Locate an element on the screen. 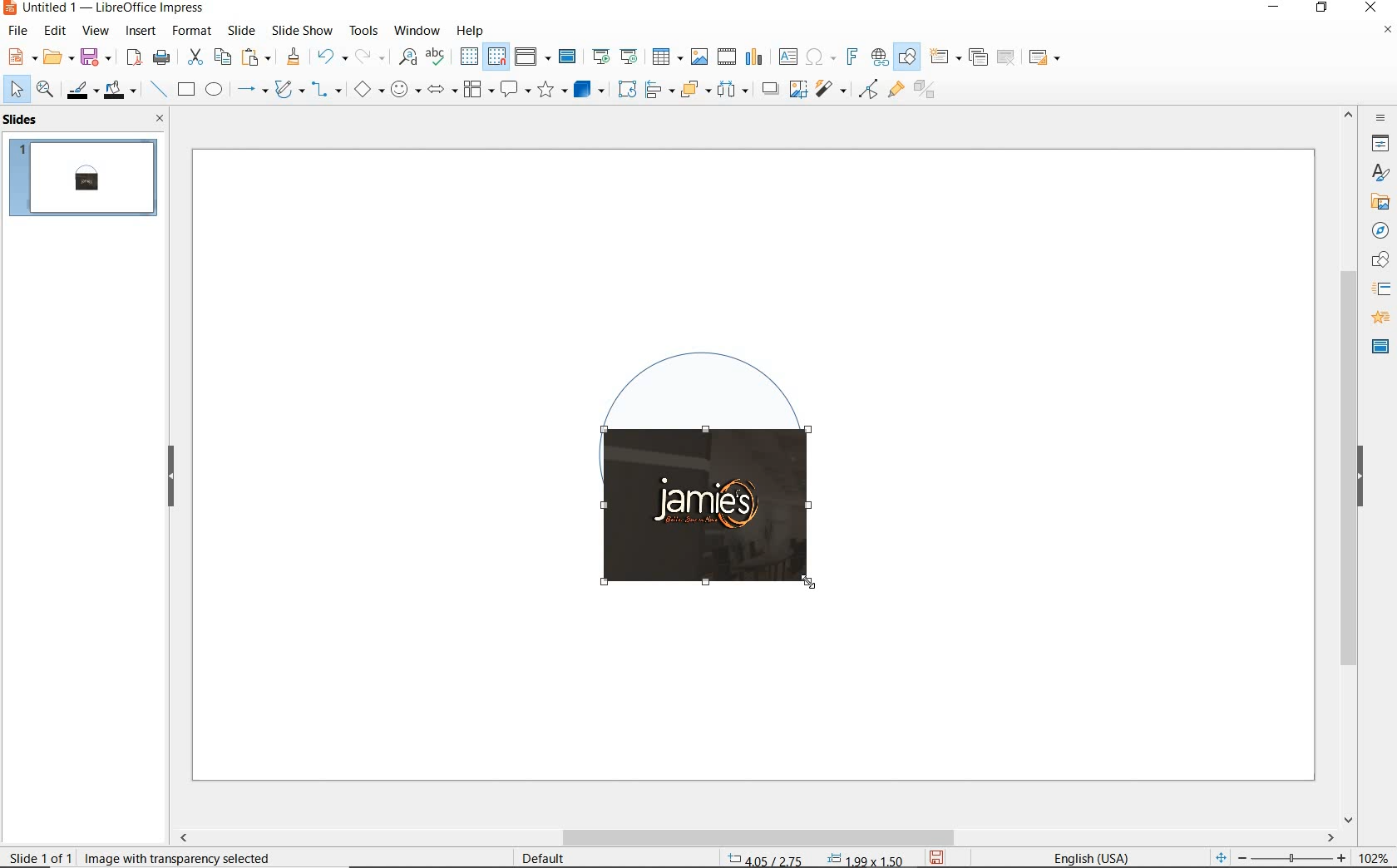 Image resolution: width=1397 pixels, height=868 pixels. insert table is located at coordinates (665, 57).